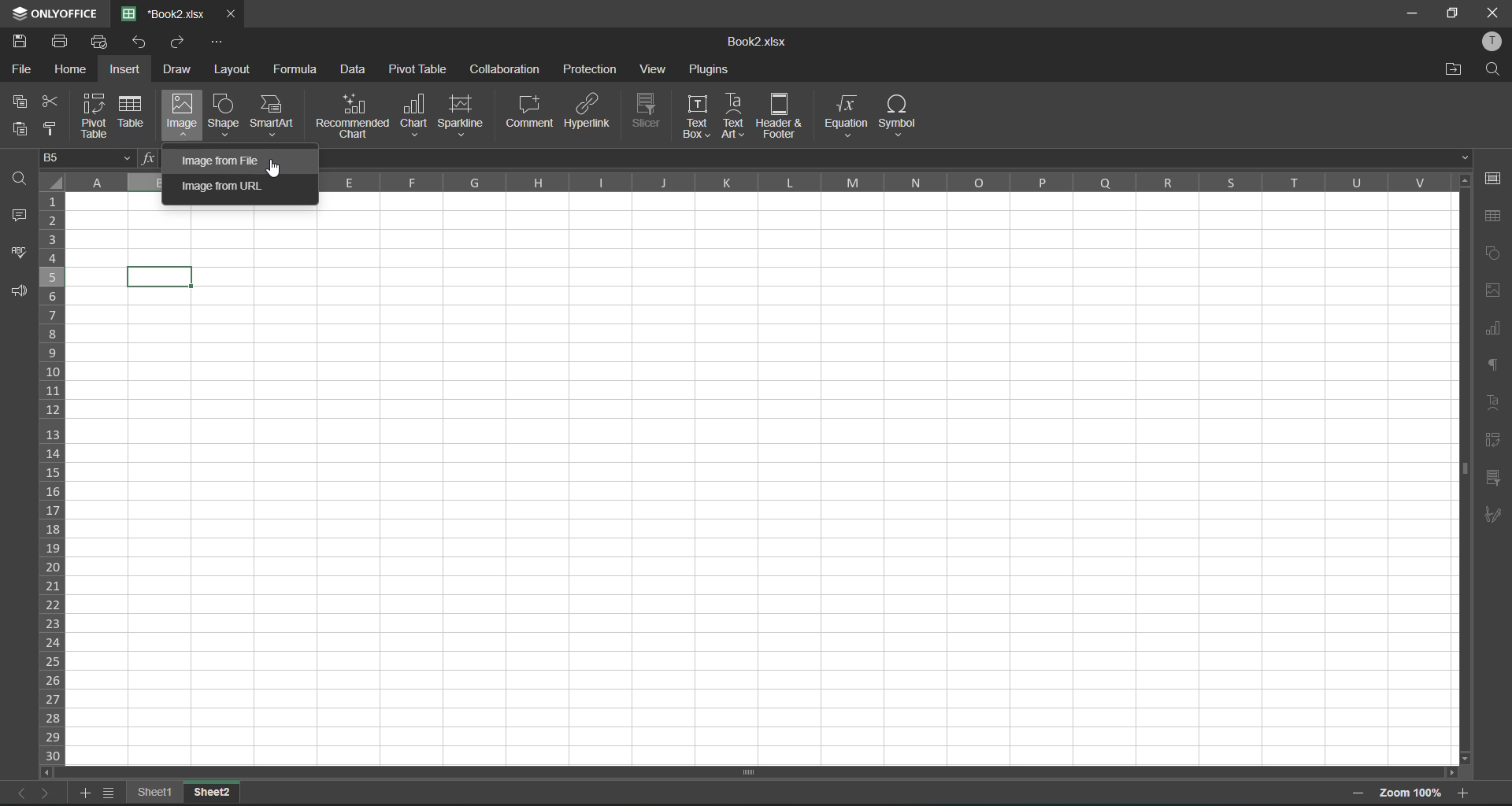  Describe the element at coordinates (1494, 216) in the screenshot. I see `table` at that location.